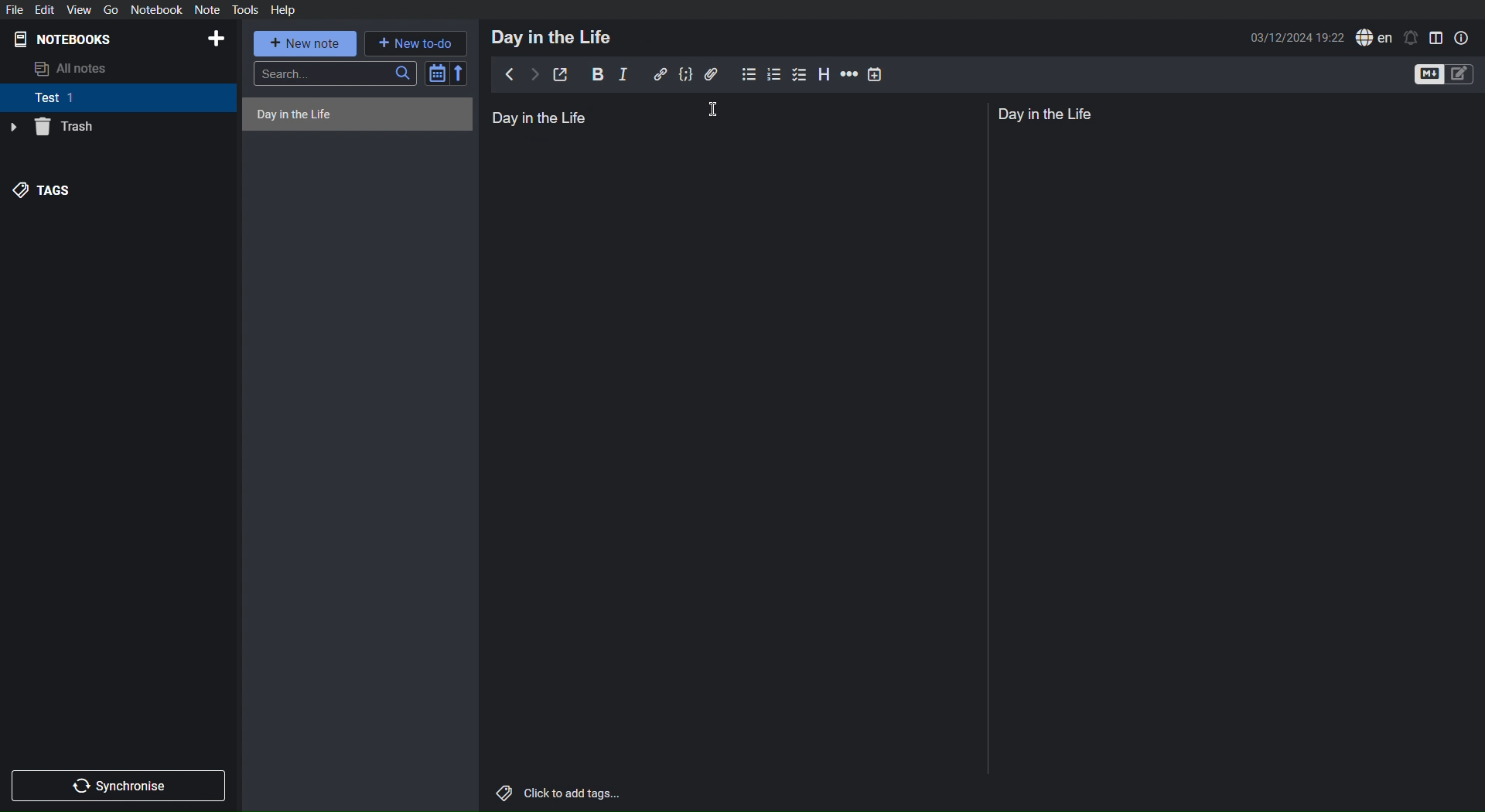  Describe the element at coordinates (749, 75) in the screenshot. I see `Bullet List` at that location.